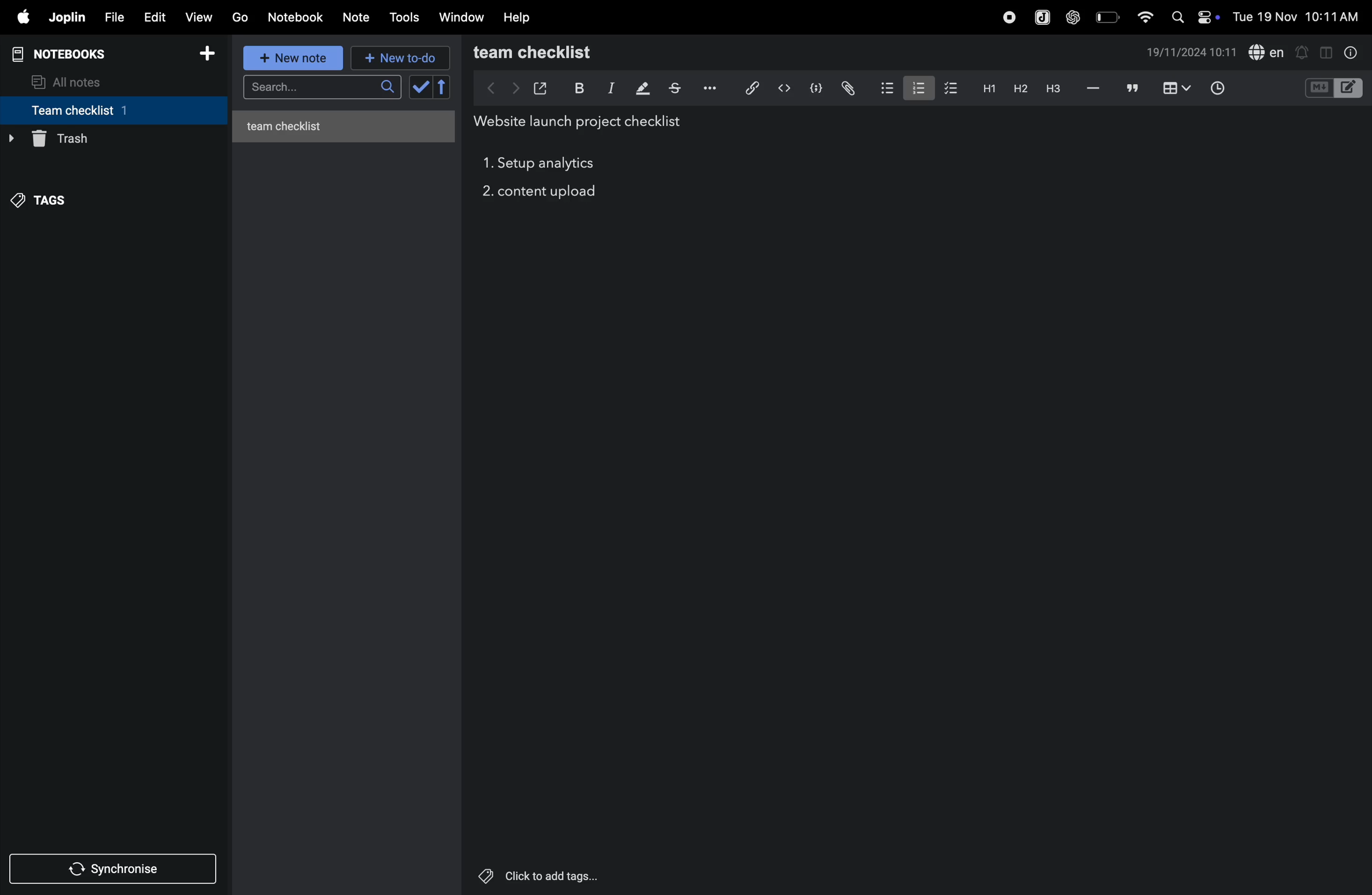 The height and width of the screenshot is (895, 1372). What do you see at coordinates (1297, 17) in the screenshot?
I see `date and time` at bounding box center [1297, 17].